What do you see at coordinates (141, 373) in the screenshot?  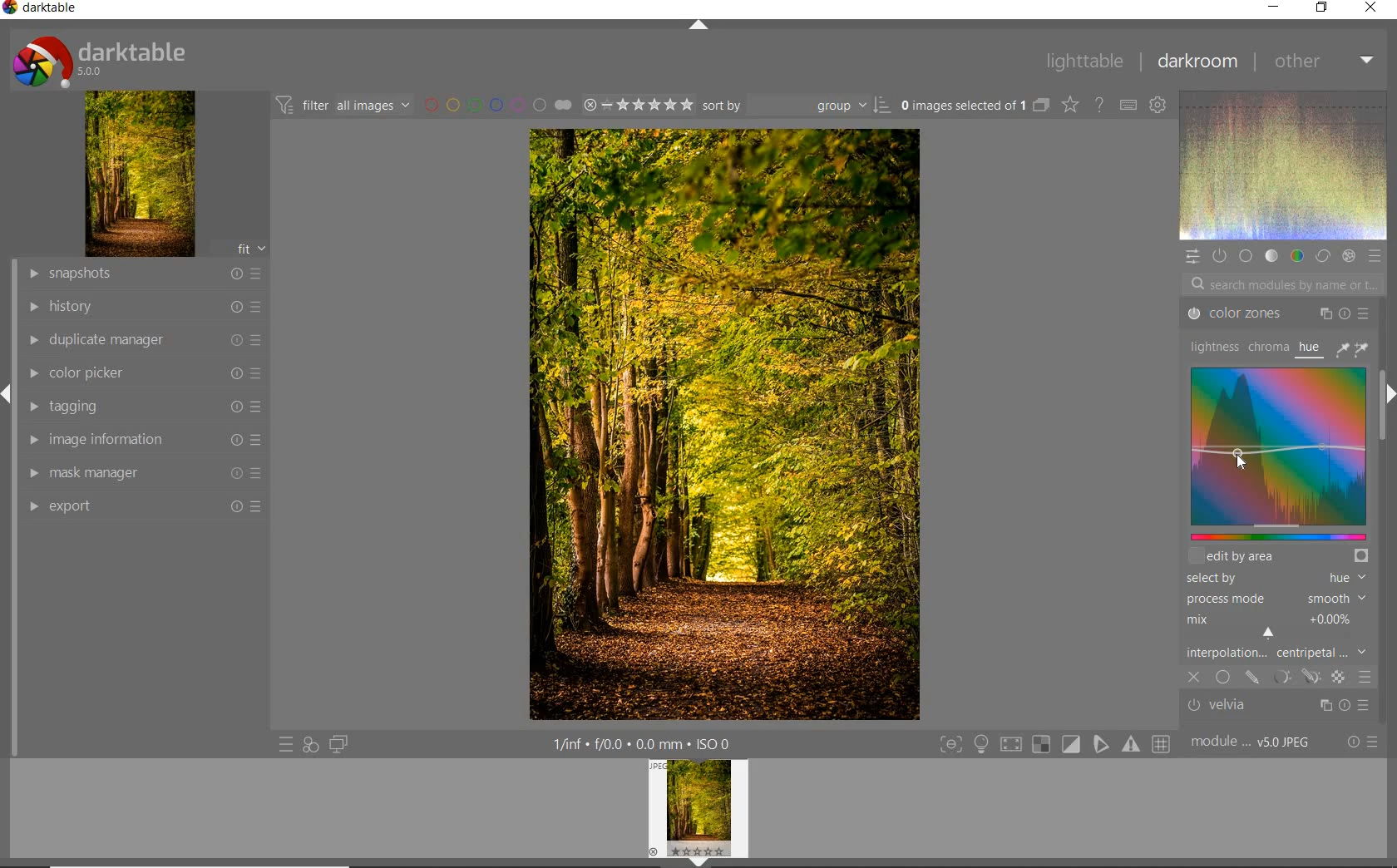 I see `COLOR PICKER` at bounding box center [141, 373].